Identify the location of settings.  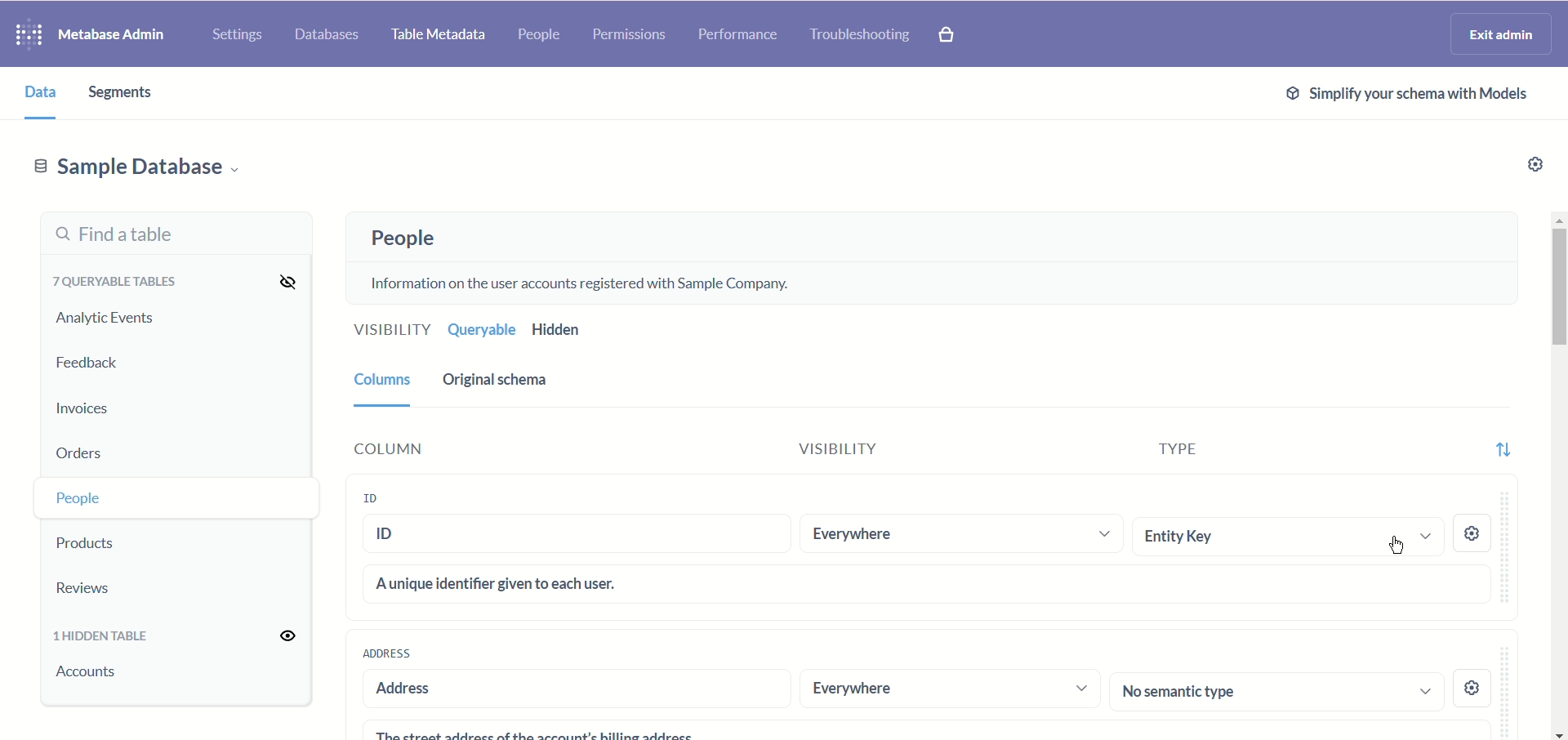
(1474, 536).